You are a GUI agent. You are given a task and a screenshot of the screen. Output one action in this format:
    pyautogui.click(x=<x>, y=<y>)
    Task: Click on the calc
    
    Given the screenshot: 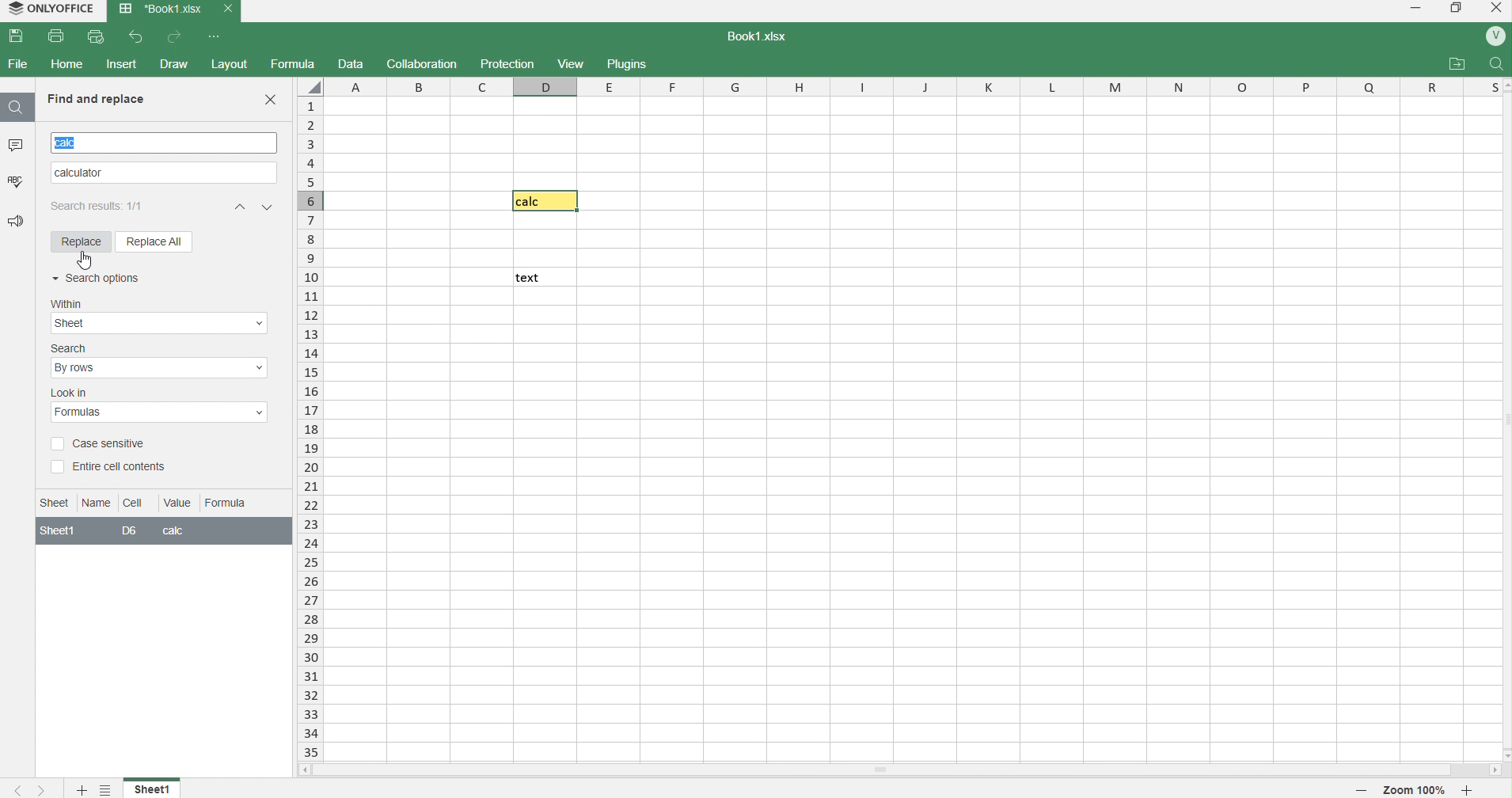 What is the action you would take?
    pyautogui.click(x=546, y=200)
    